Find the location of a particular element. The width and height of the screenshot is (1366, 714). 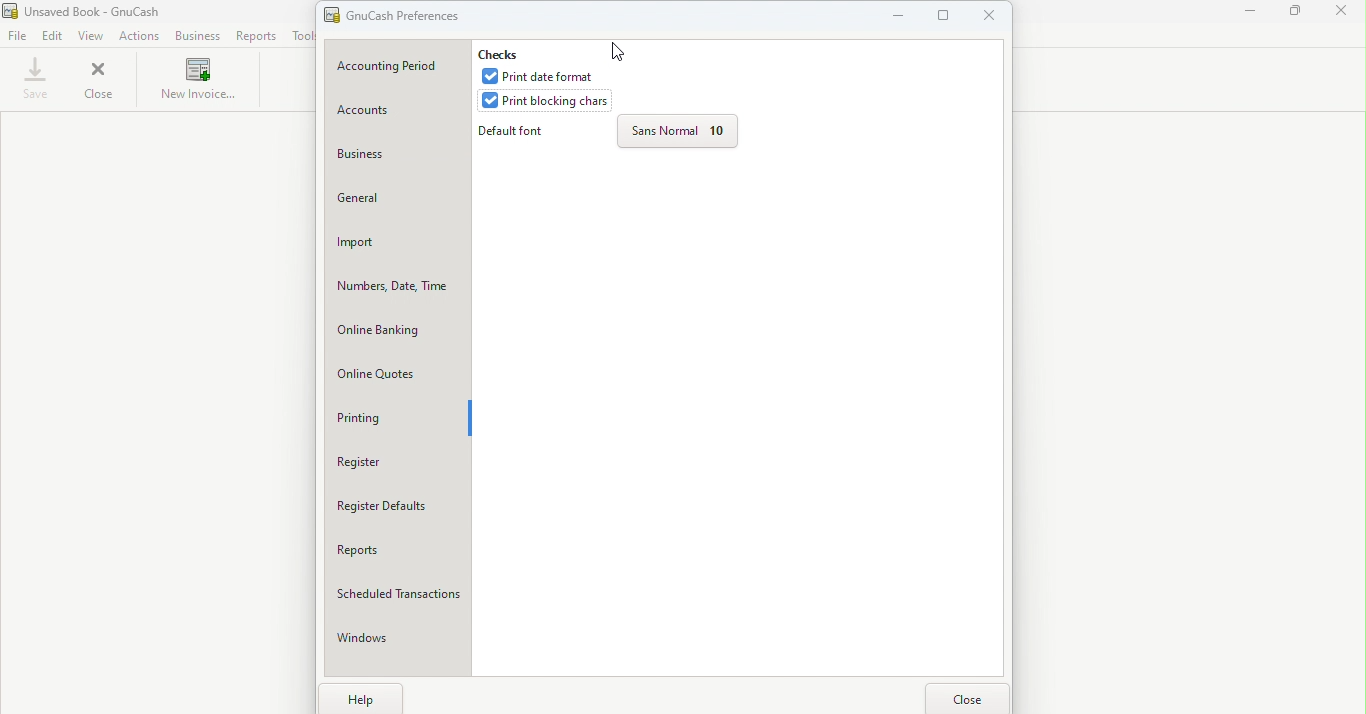

Register defaults is located at coordinates (397, 507).